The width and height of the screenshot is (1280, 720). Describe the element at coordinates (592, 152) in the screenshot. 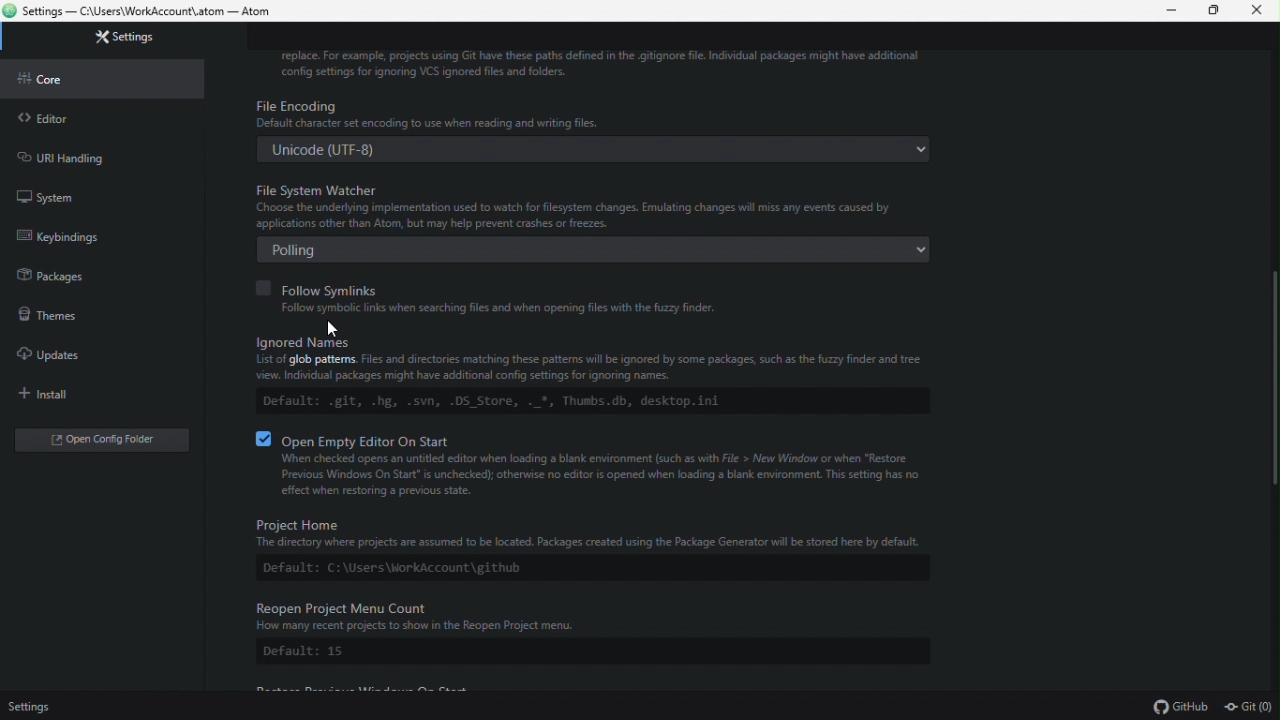

I see `Unicode (UTF-8)` at that location.